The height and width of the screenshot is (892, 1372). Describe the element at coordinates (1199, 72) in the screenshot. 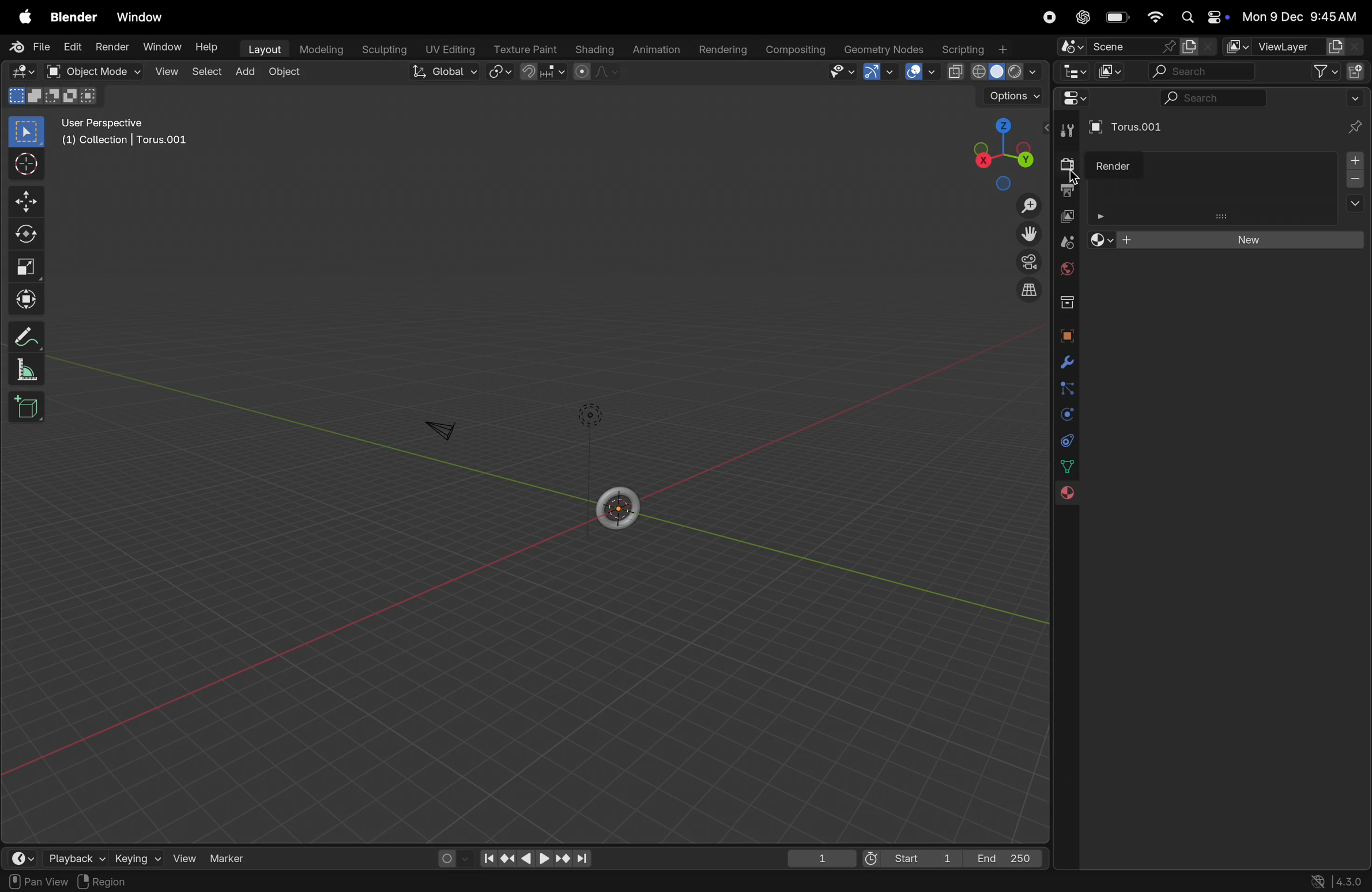

I see `search` at that location.